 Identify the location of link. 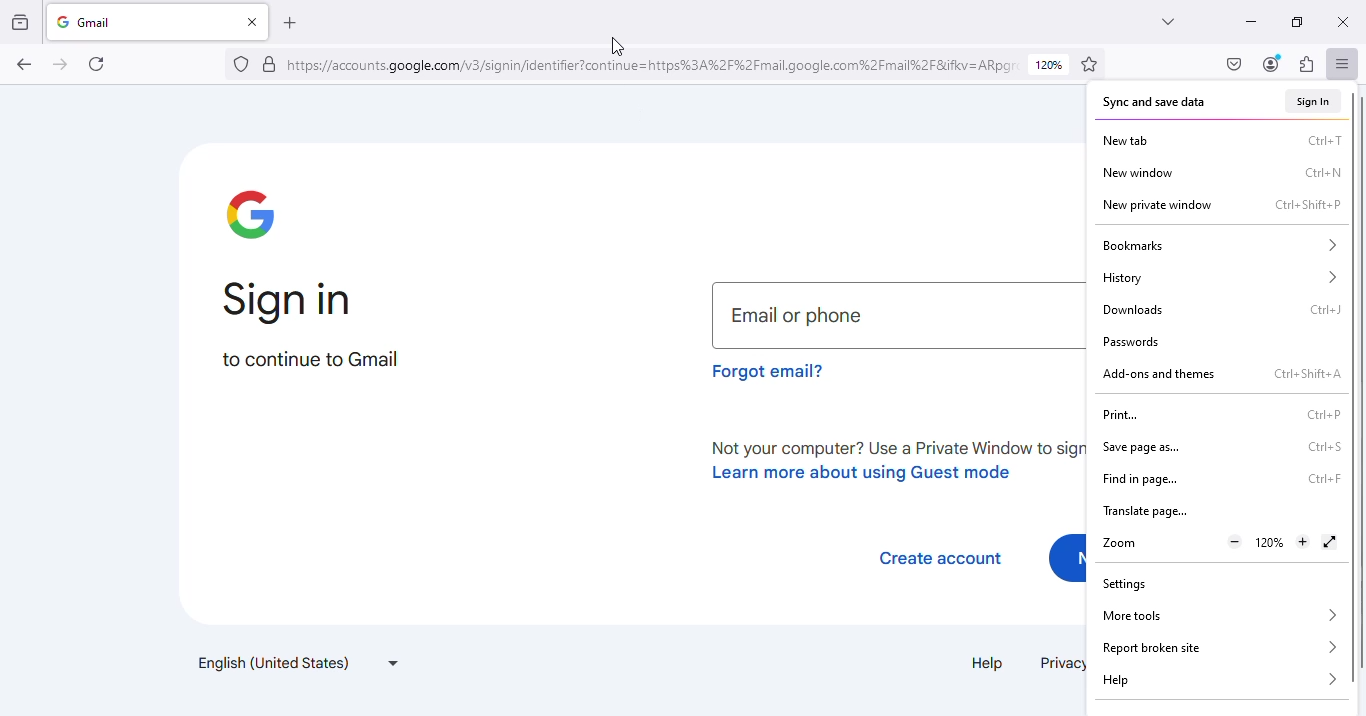
(653, 64).